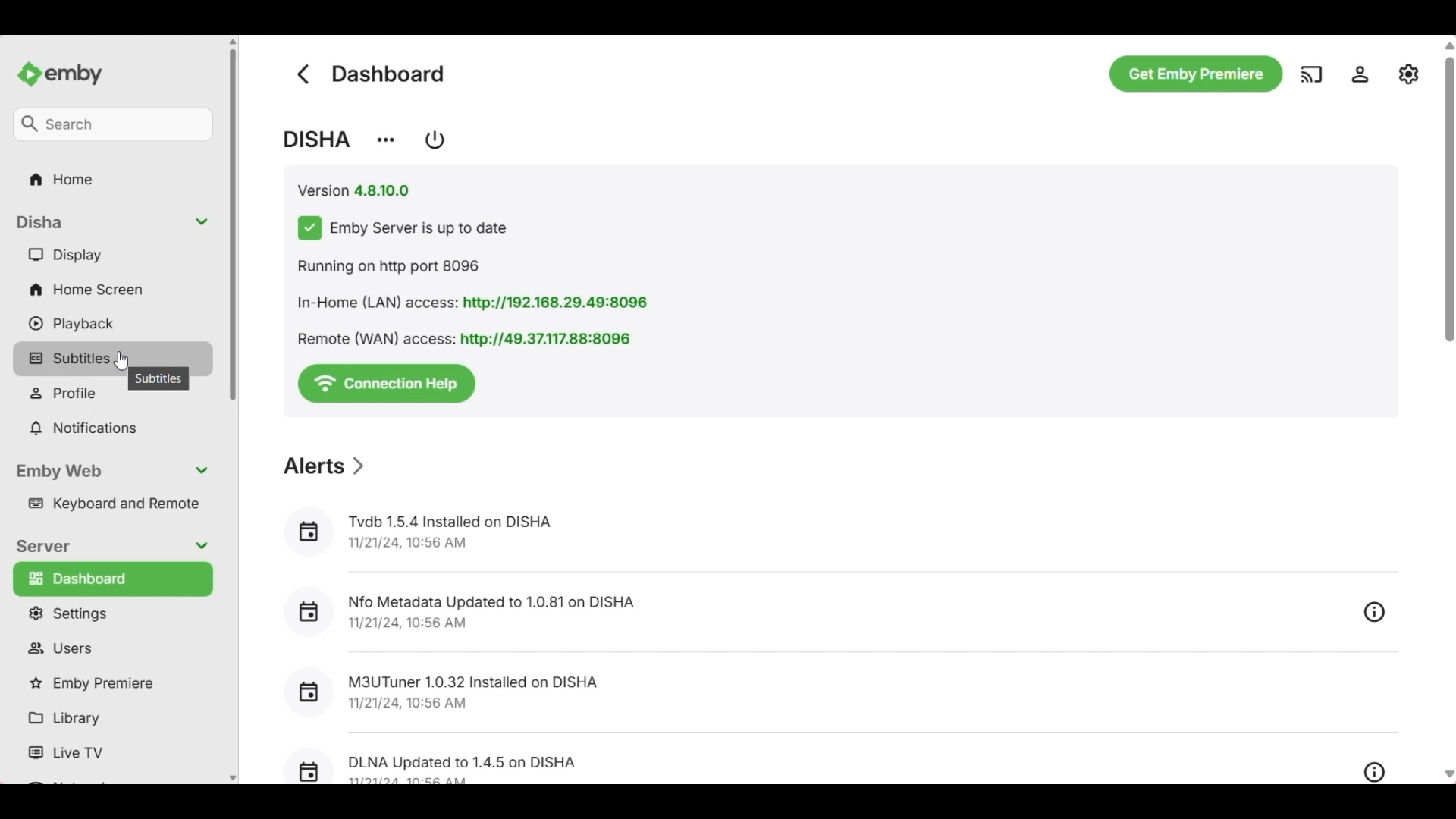 The image size is (1456, 819). I want to click on Software version, so click(353, 190).